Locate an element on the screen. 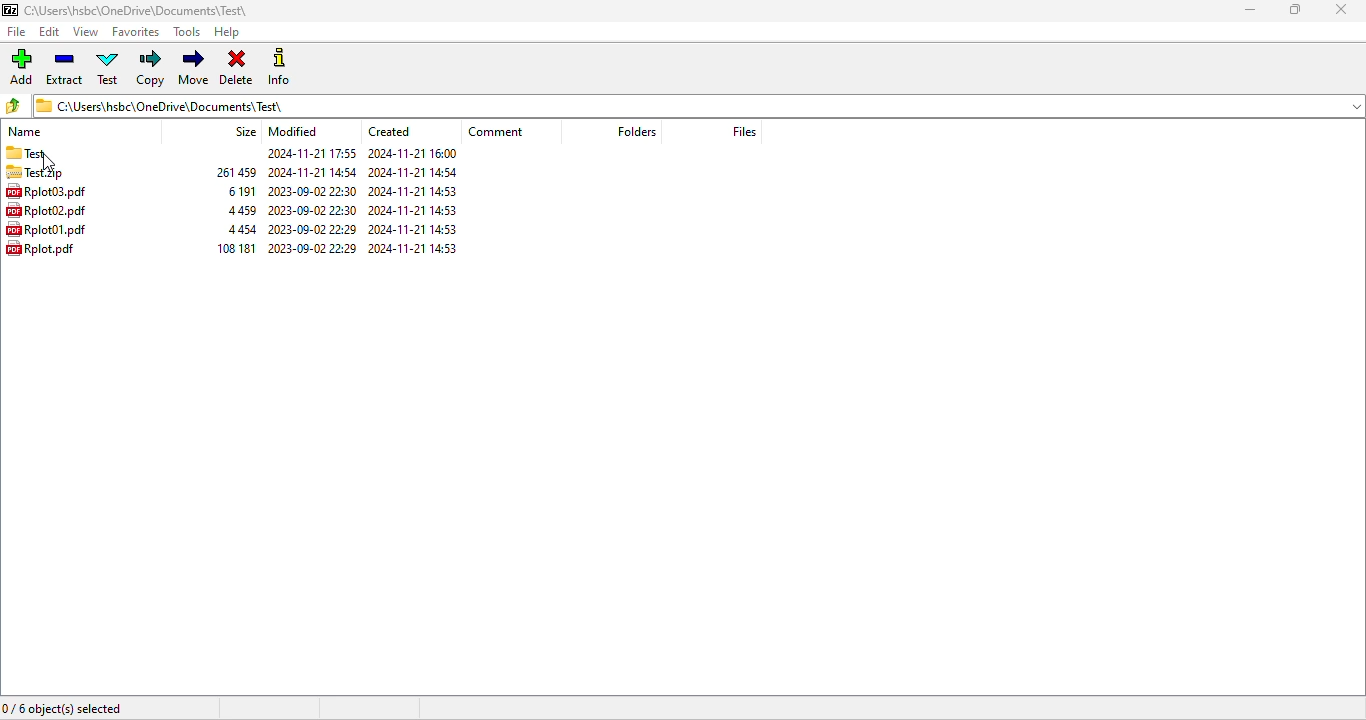  move is located at coordinates (195, 67).